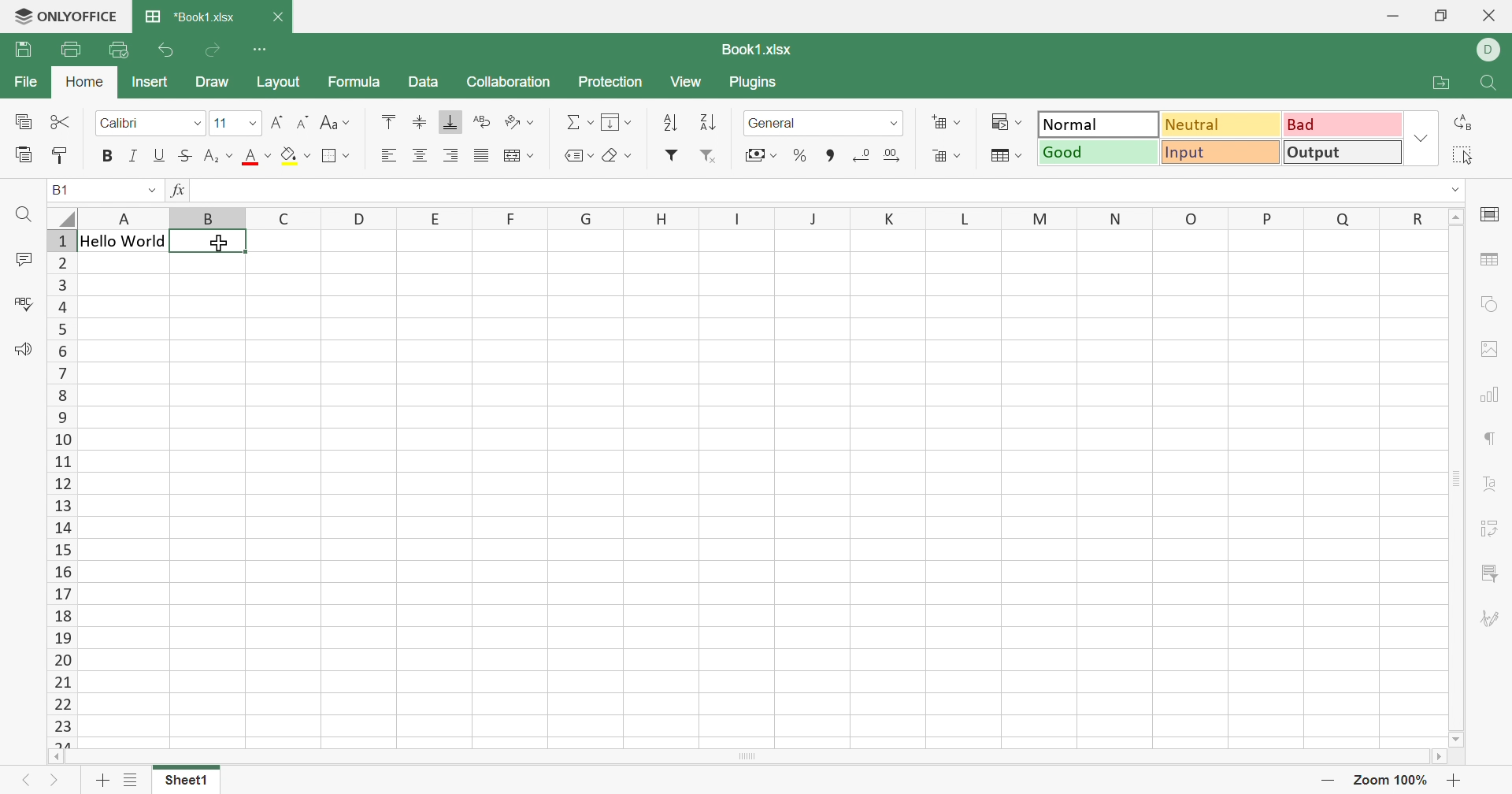  I want to click on Insert, so click(150, 82).